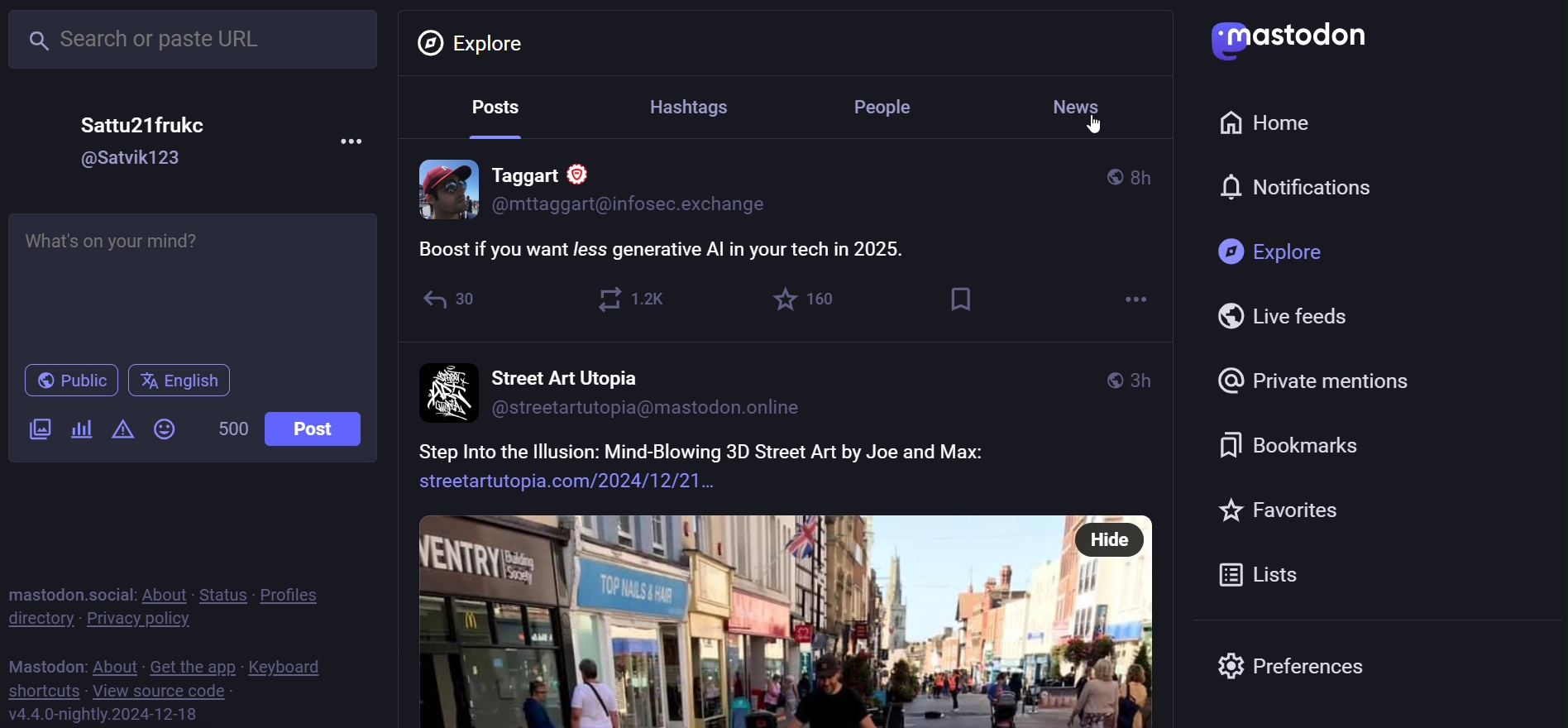 This screenshot has height=728, width=1568. I want to click on cursor, so click(1097, 128).